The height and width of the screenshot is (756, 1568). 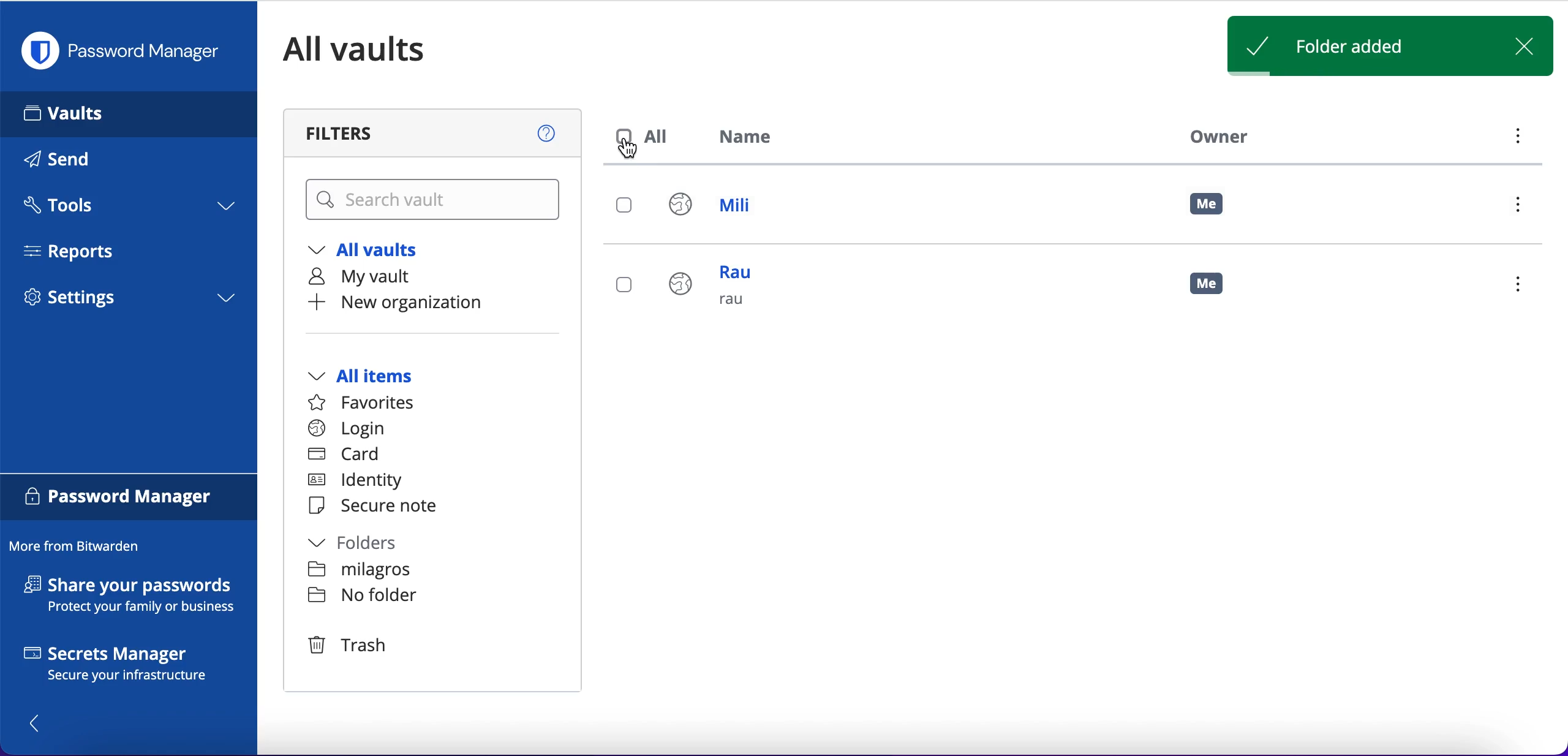 I want to click on menu , so click(x=1523, y=208).